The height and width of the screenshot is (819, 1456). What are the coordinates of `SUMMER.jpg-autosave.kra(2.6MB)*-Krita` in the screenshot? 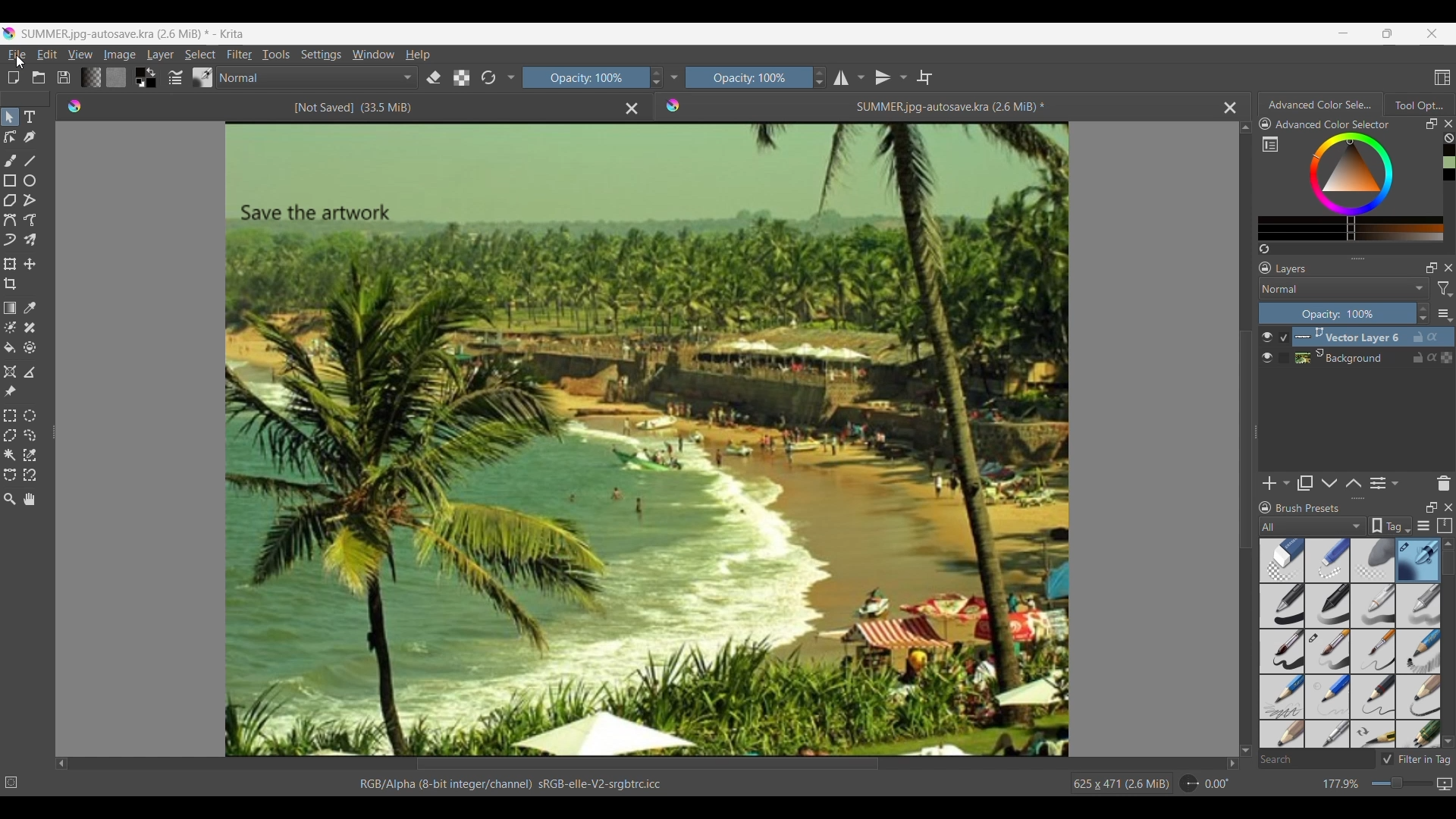 It's located at (135, 34).